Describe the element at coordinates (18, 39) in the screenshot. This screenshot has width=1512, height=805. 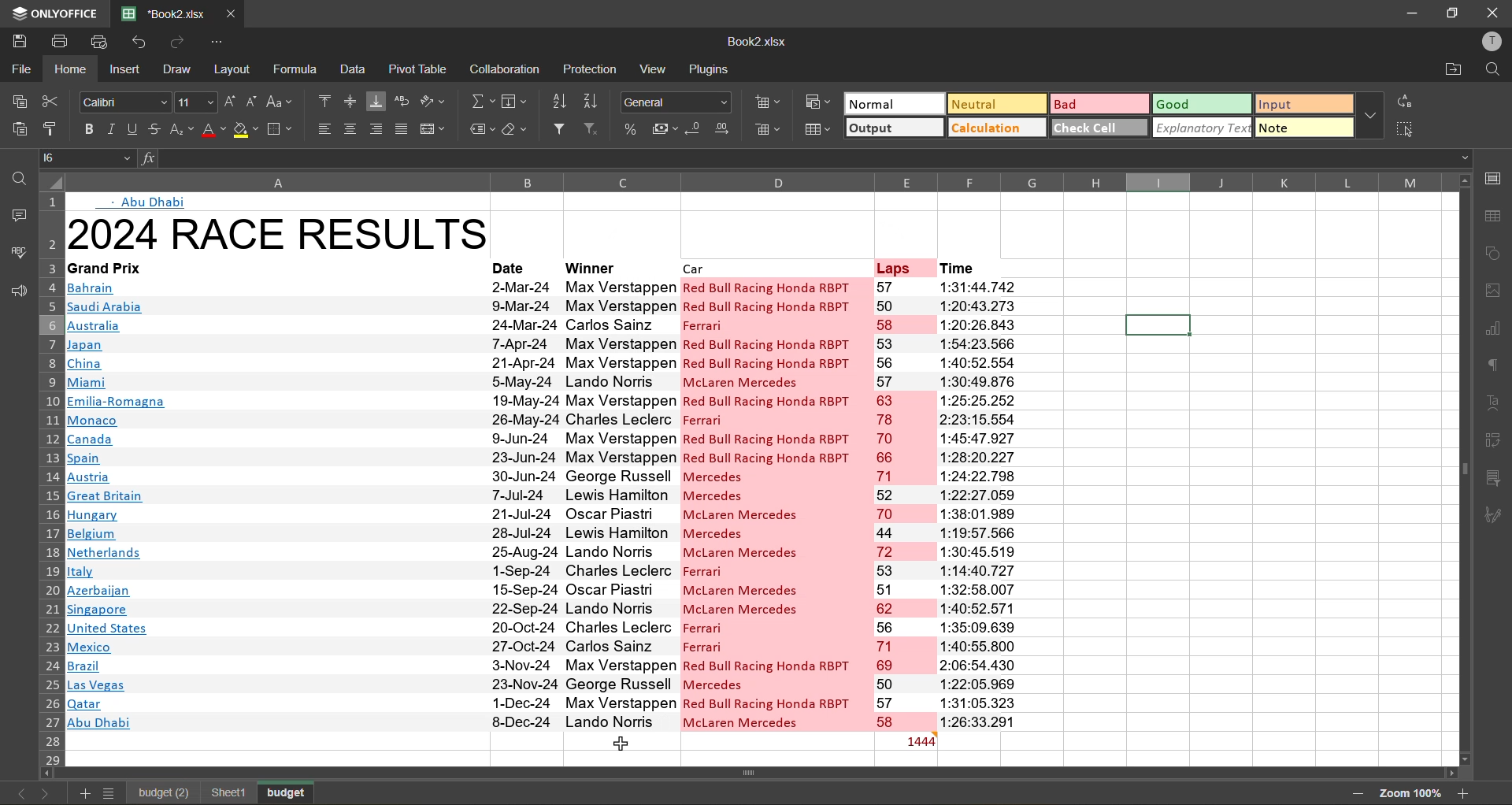
I see `save` at that location.